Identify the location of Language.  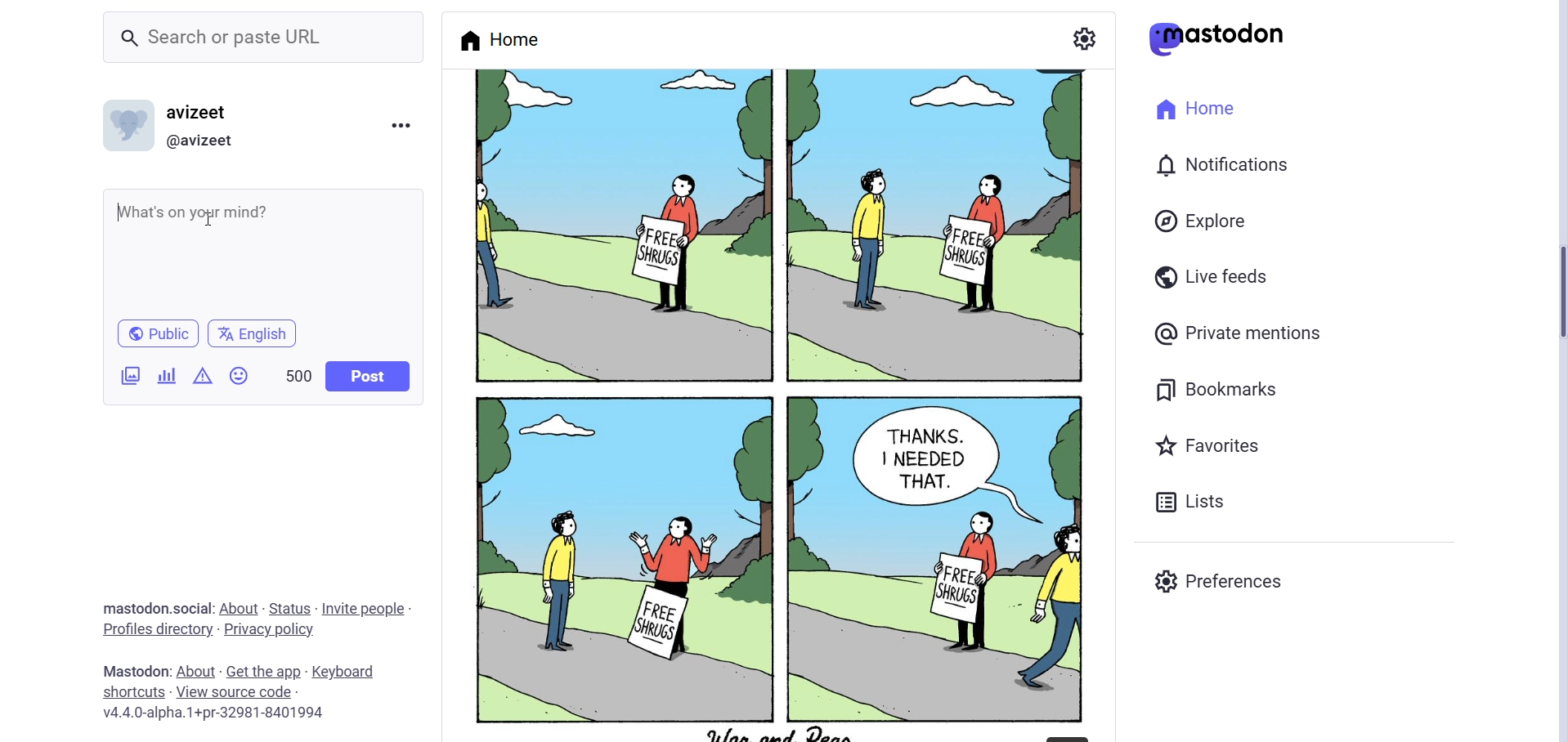
(253, 333).